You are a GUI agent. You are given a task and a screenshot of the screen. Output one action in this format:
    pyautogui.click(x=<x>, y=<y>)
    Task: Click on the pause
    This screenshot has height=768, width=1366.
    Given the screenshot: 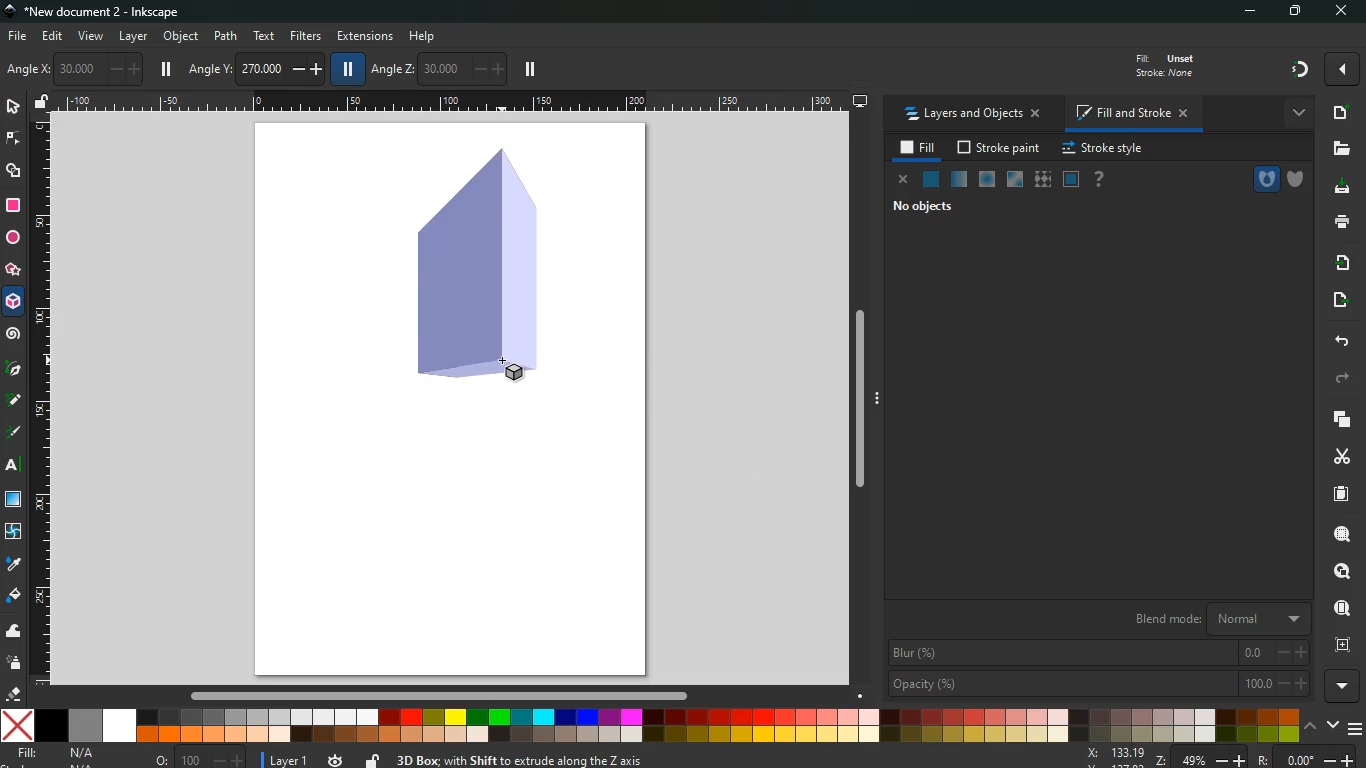 What is the action you would take?
    pyautogui.click(x=345, y=68)
    